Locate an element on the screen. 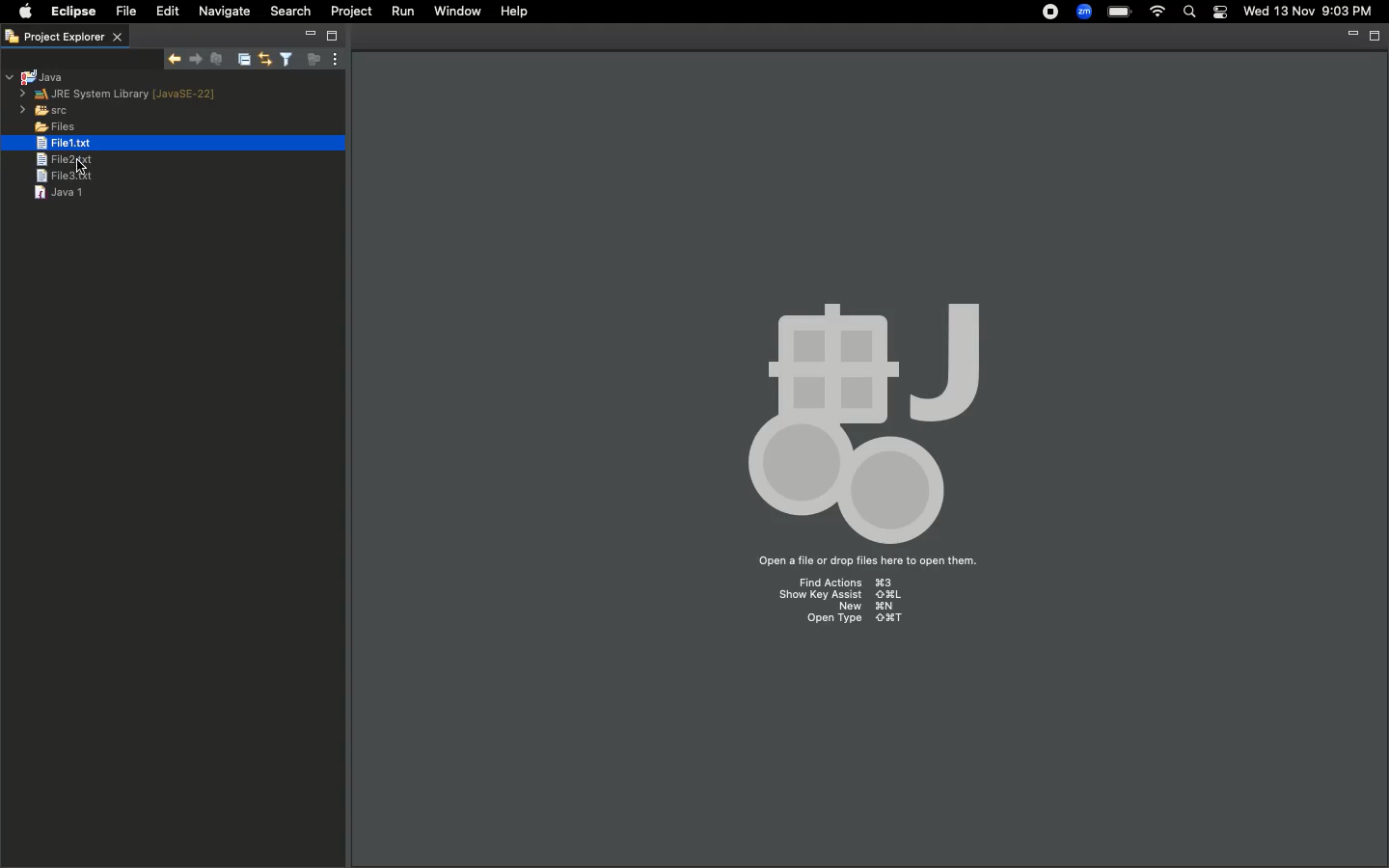  Remove selected matches is located at coordinates (216, 58).